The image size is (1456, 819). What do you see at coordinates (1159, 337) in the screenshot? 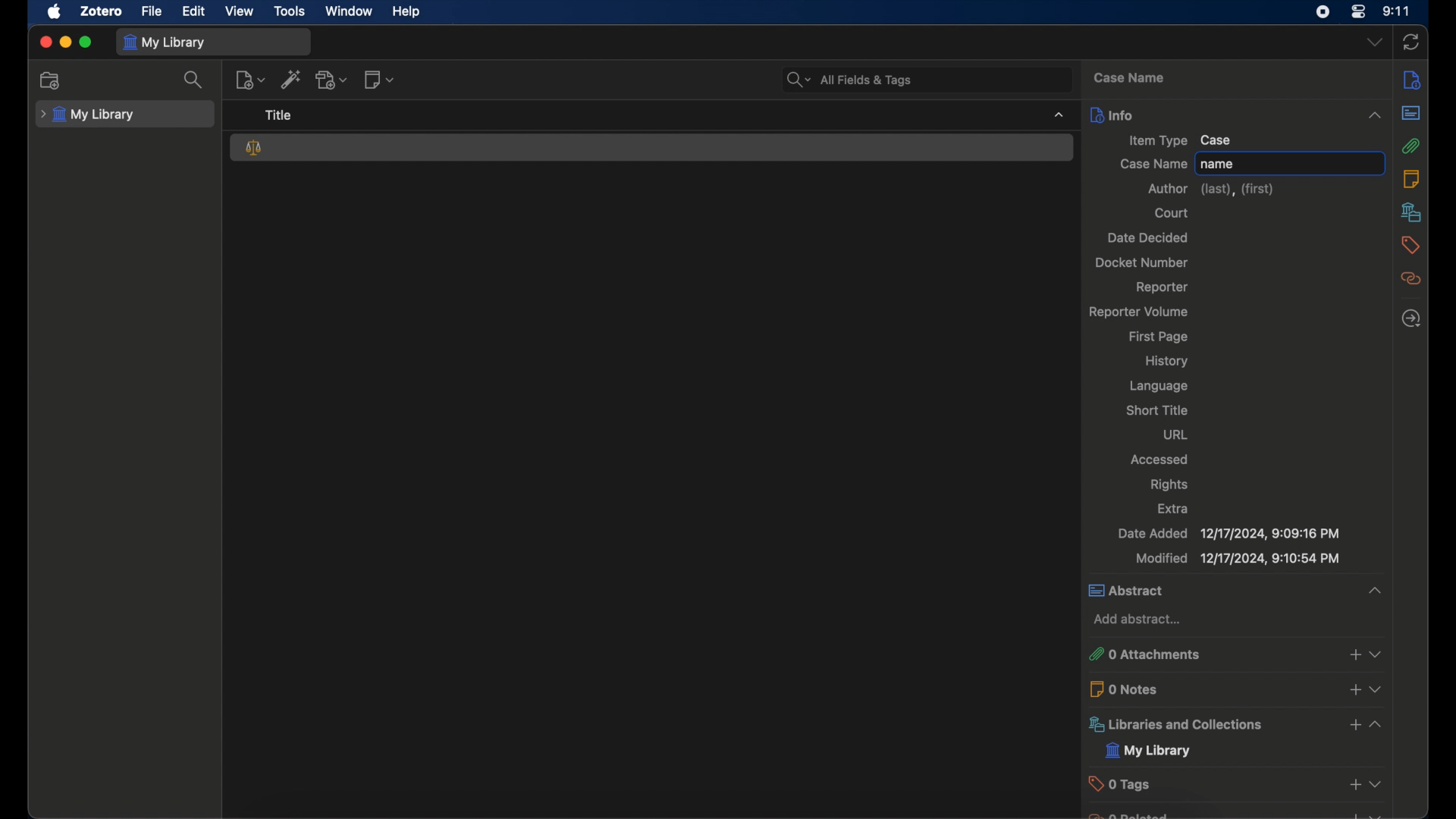
I see `first page` at bounding box center [1159, 337].